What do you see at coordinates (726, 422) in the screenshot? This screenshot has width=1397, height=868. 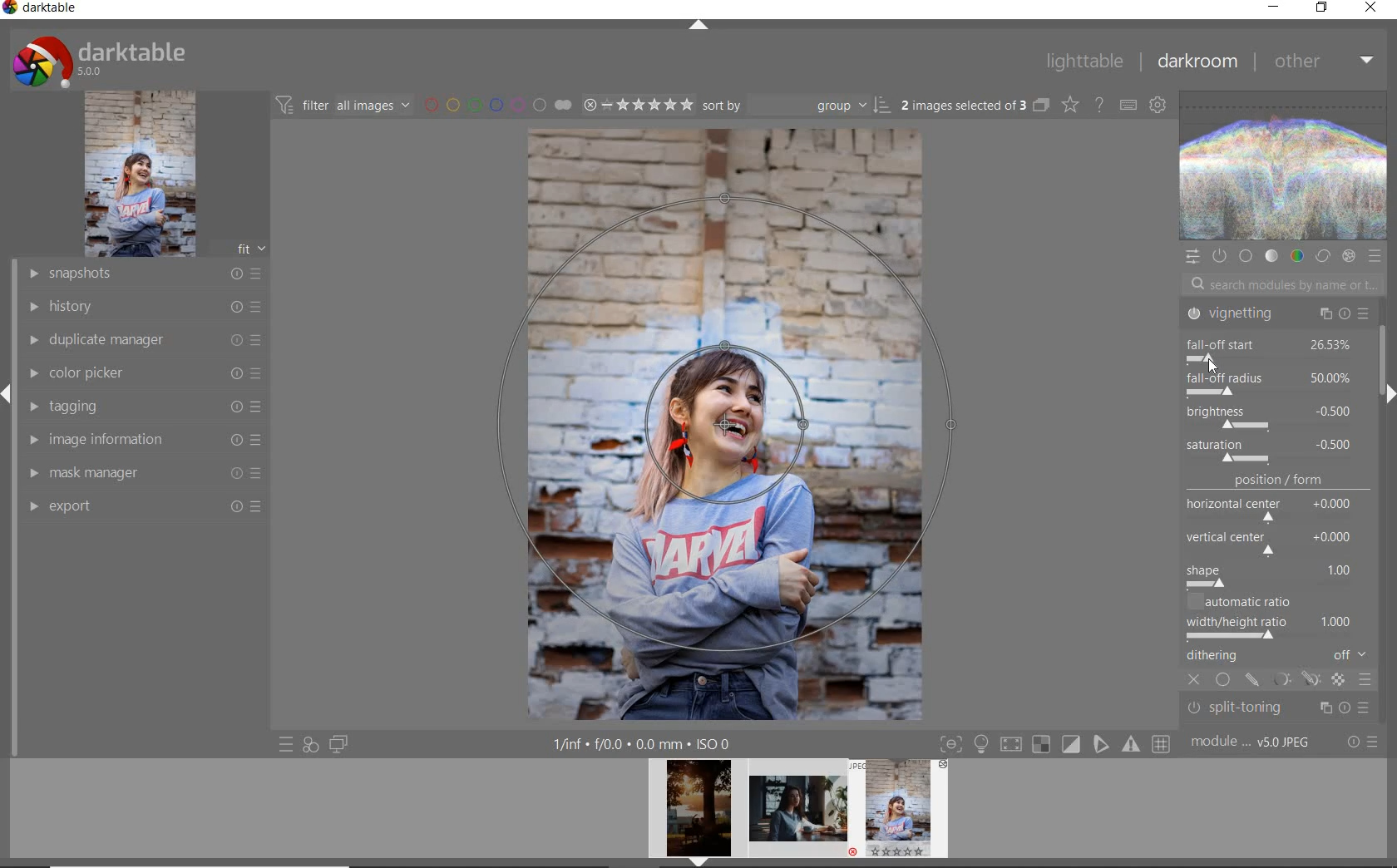 I see `selected image` at bounding box center [726, 422].